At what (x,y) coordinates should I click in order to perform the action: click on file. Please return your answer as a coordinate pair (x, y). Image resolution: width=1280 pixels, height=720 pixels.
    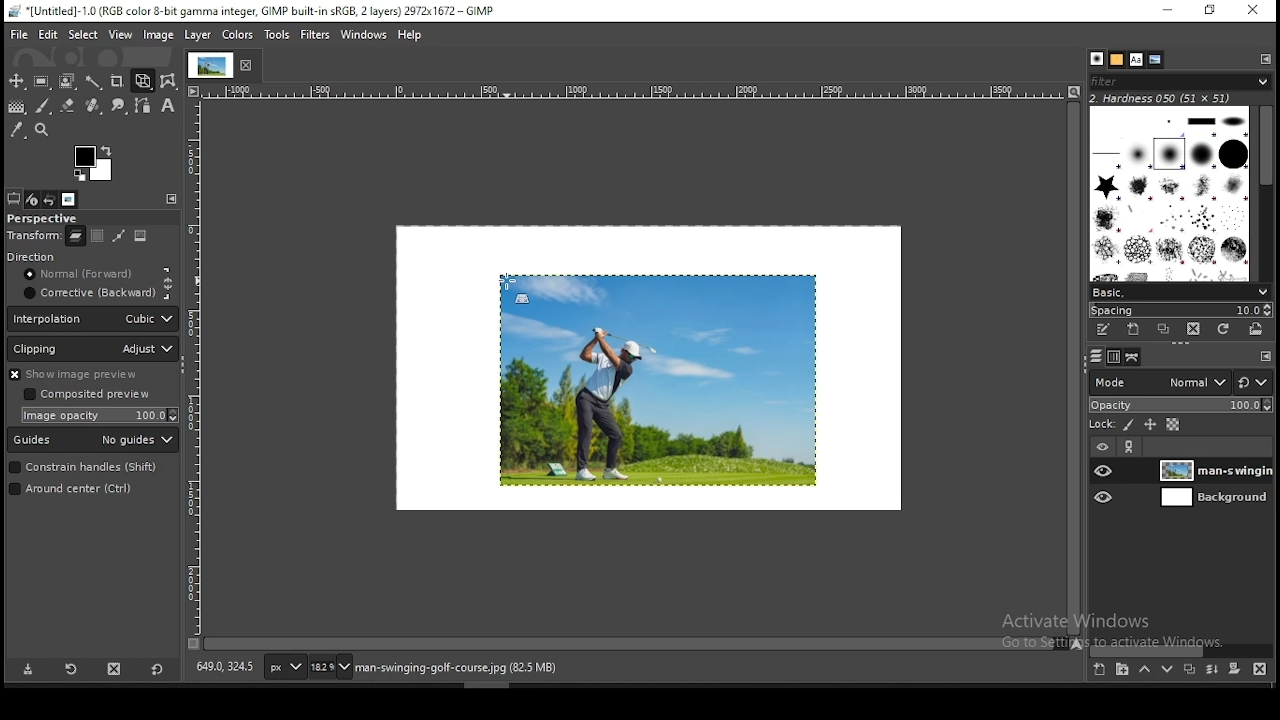
    Looking at the image, I should click on (18, 35).